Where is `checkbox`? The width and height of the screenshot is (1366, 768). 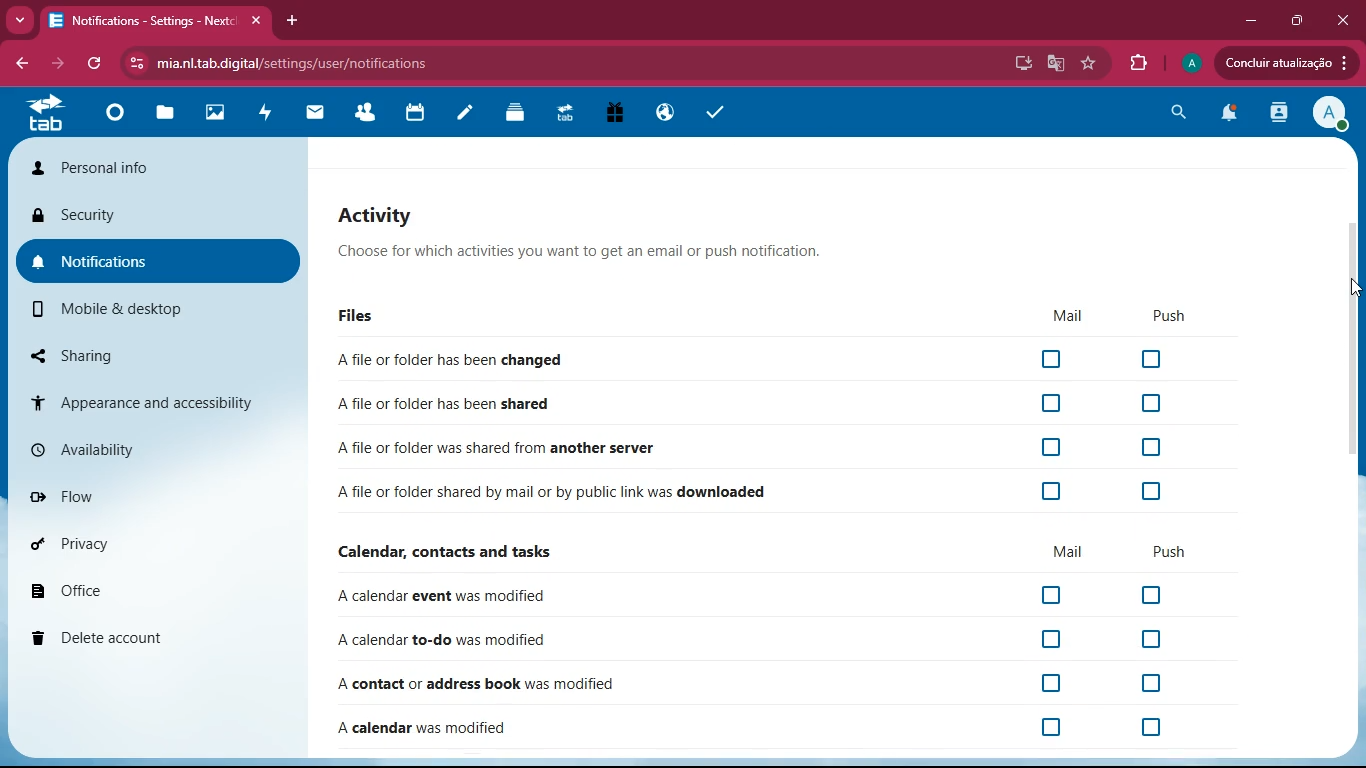
checkbox is located at coordinates (1152, 359).